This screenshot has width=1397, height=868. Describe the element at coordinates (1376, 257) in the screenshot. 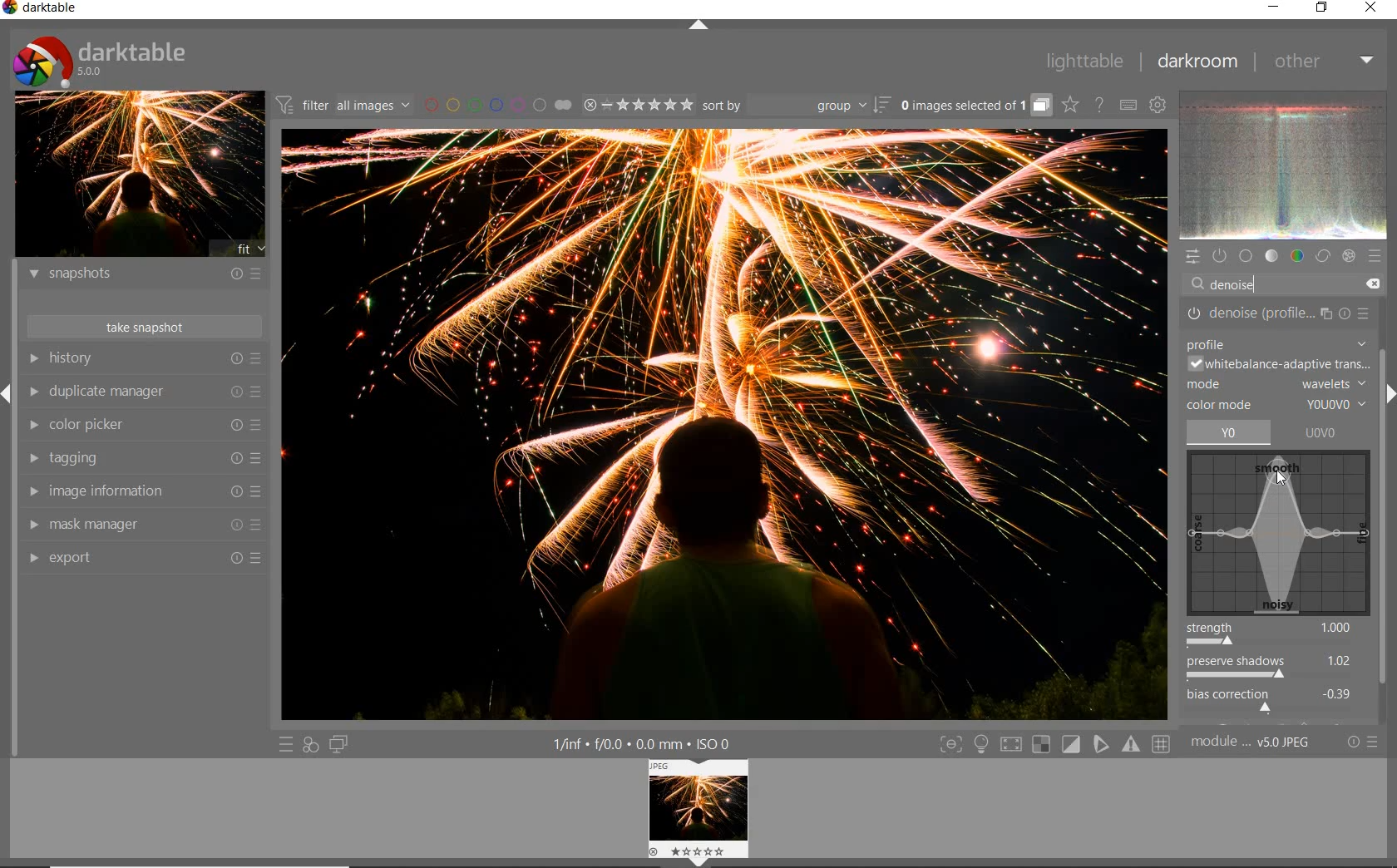

I see `presets` at that location.